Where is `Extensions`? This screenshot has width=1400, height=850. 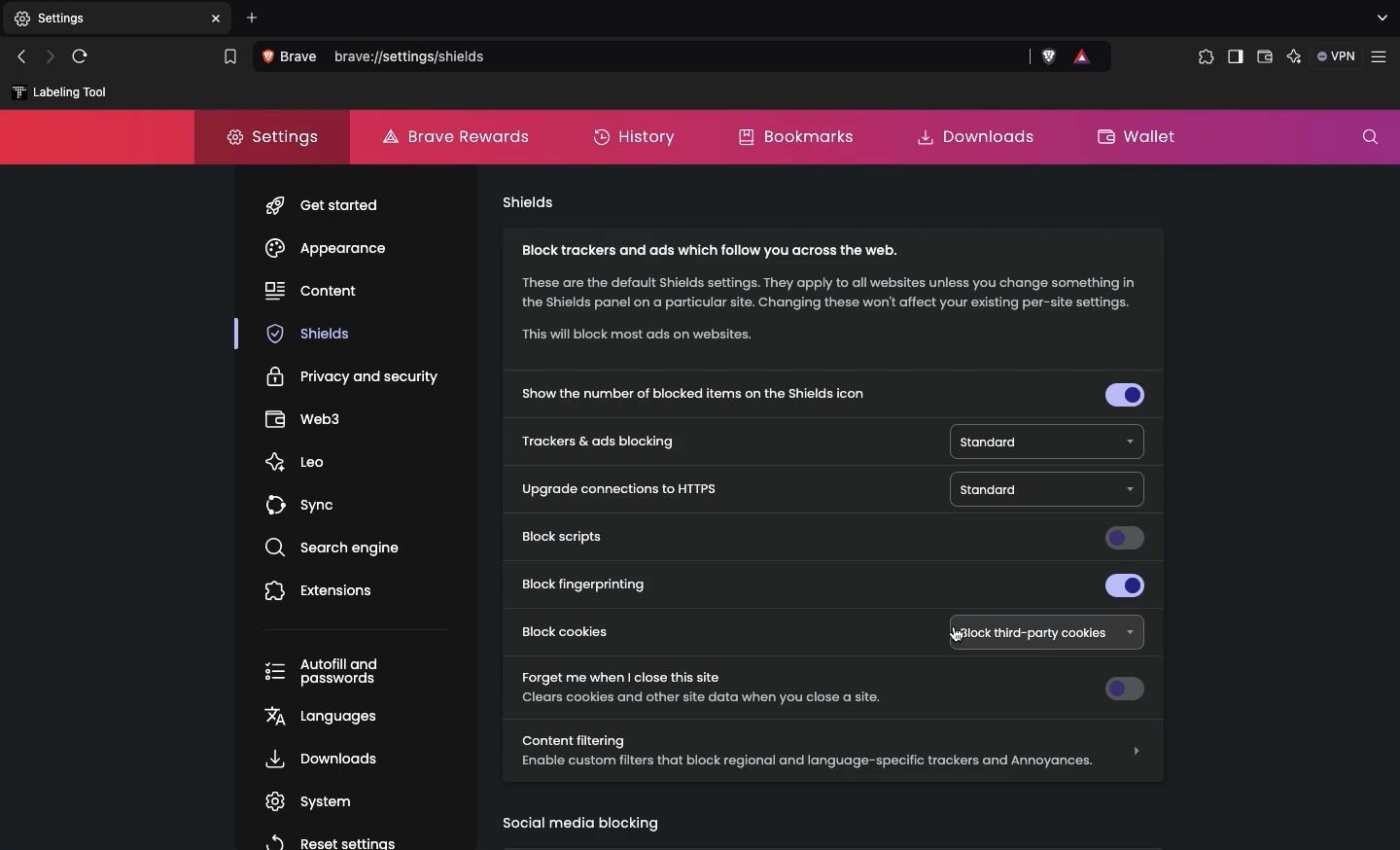 Extensions is located at coordinates (324, 594).